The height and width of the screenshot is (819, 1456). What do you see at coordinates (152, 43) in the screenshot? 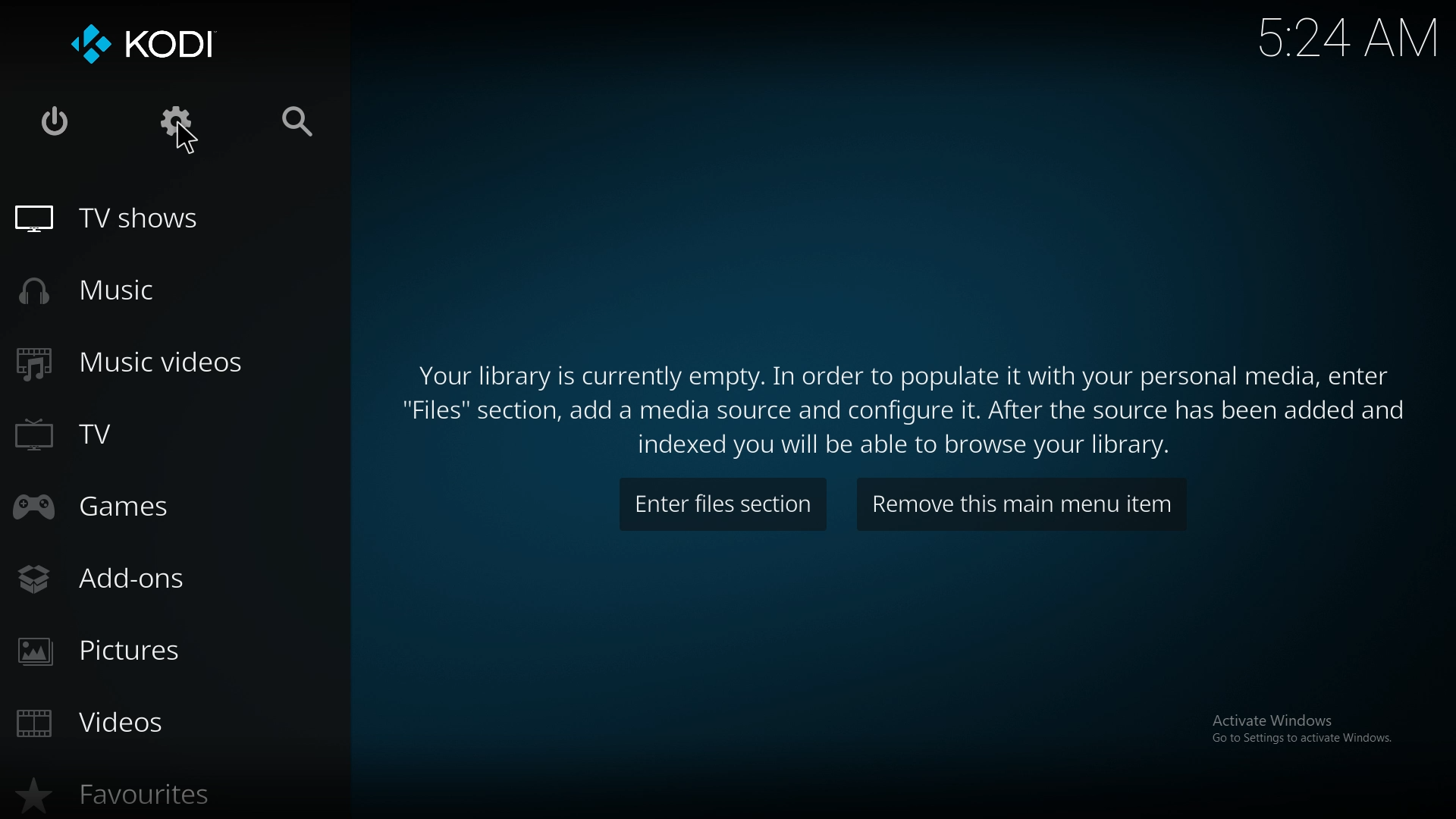
I see `kodi` at bounding box center [152, 43].